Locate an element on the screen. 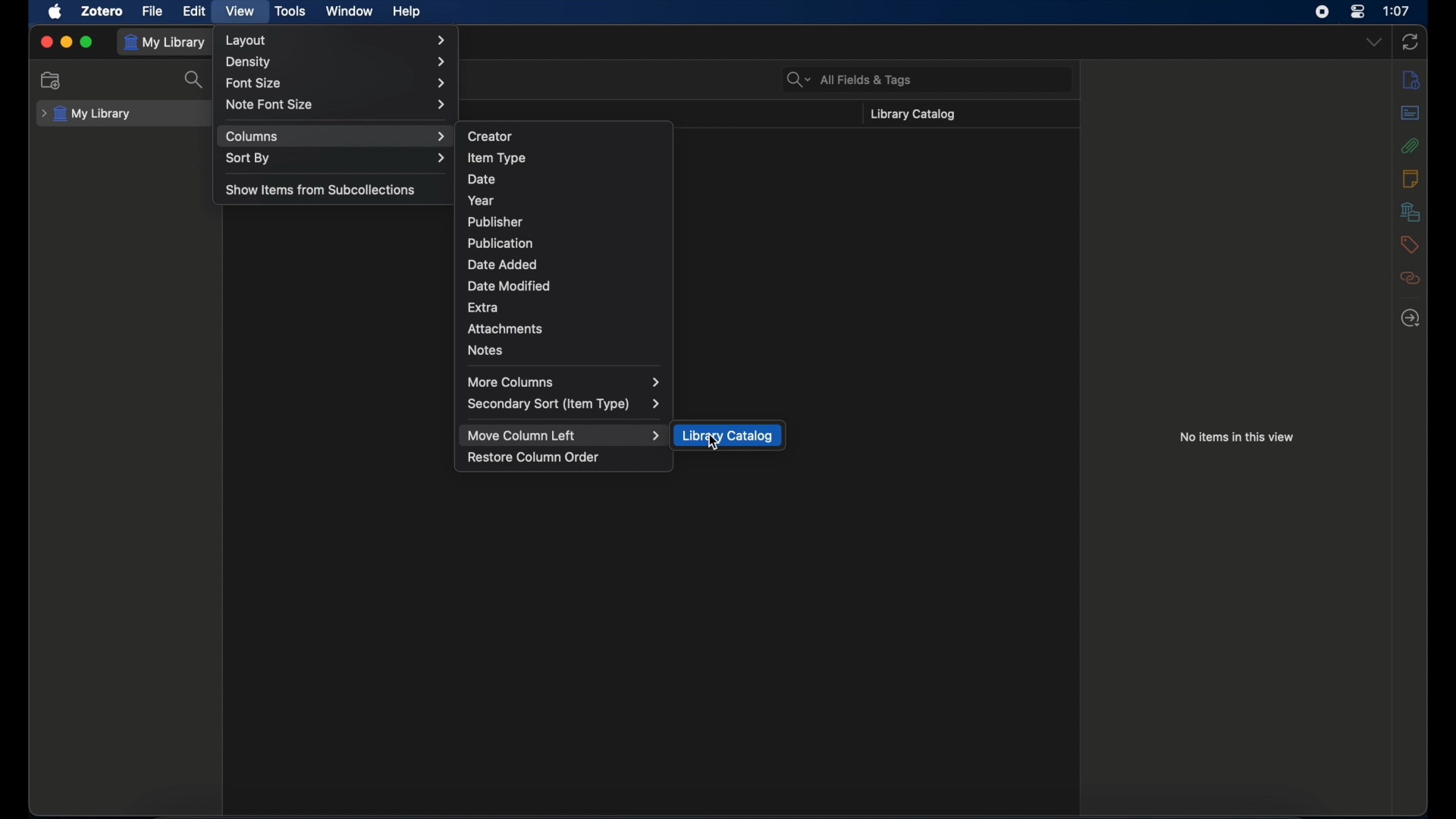 The width and height of the screenshot is (1456, 819). tags is located at coordinates (1409, 244).